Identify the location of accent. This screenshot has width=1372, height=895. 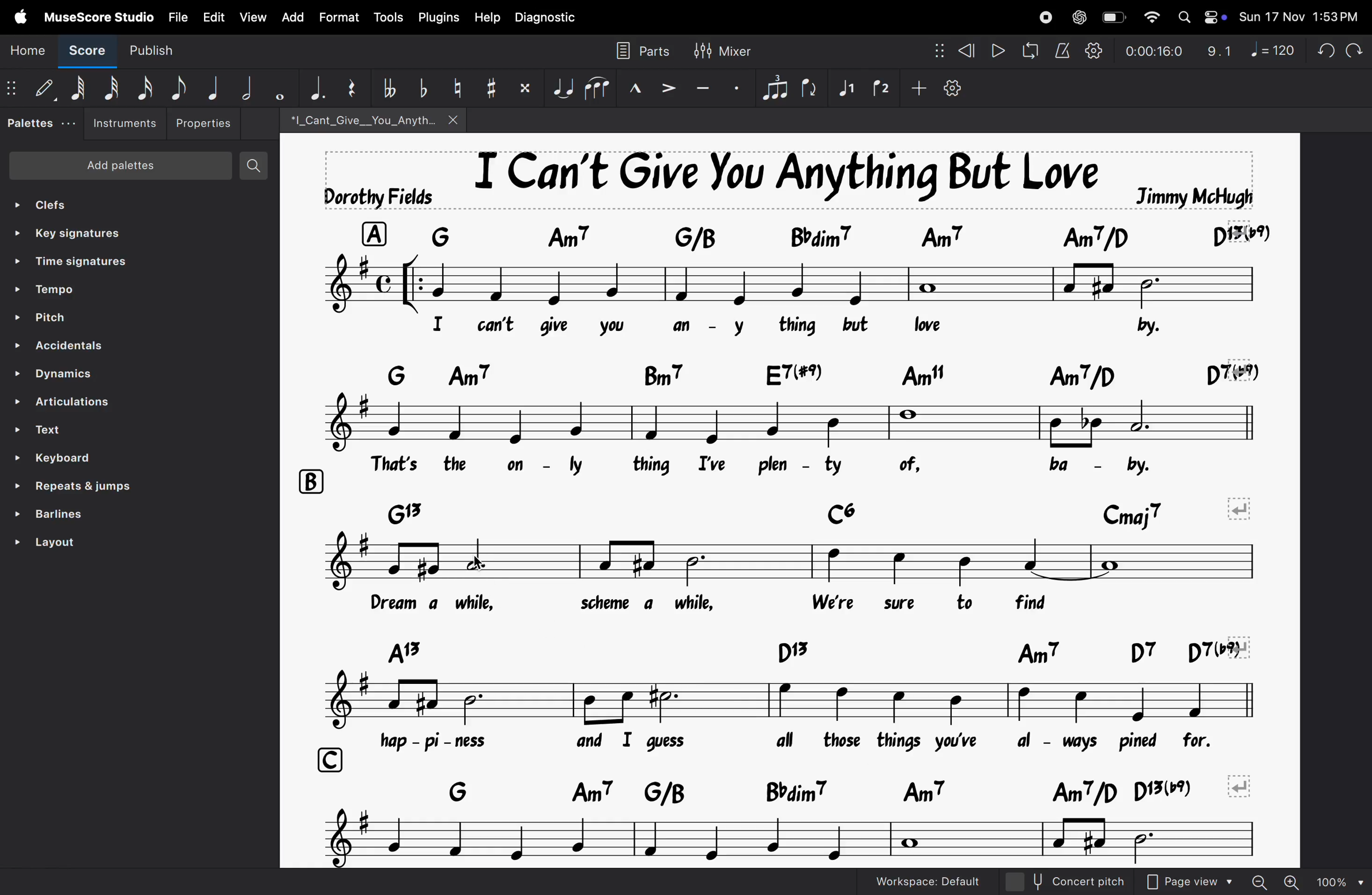
(670, 88).